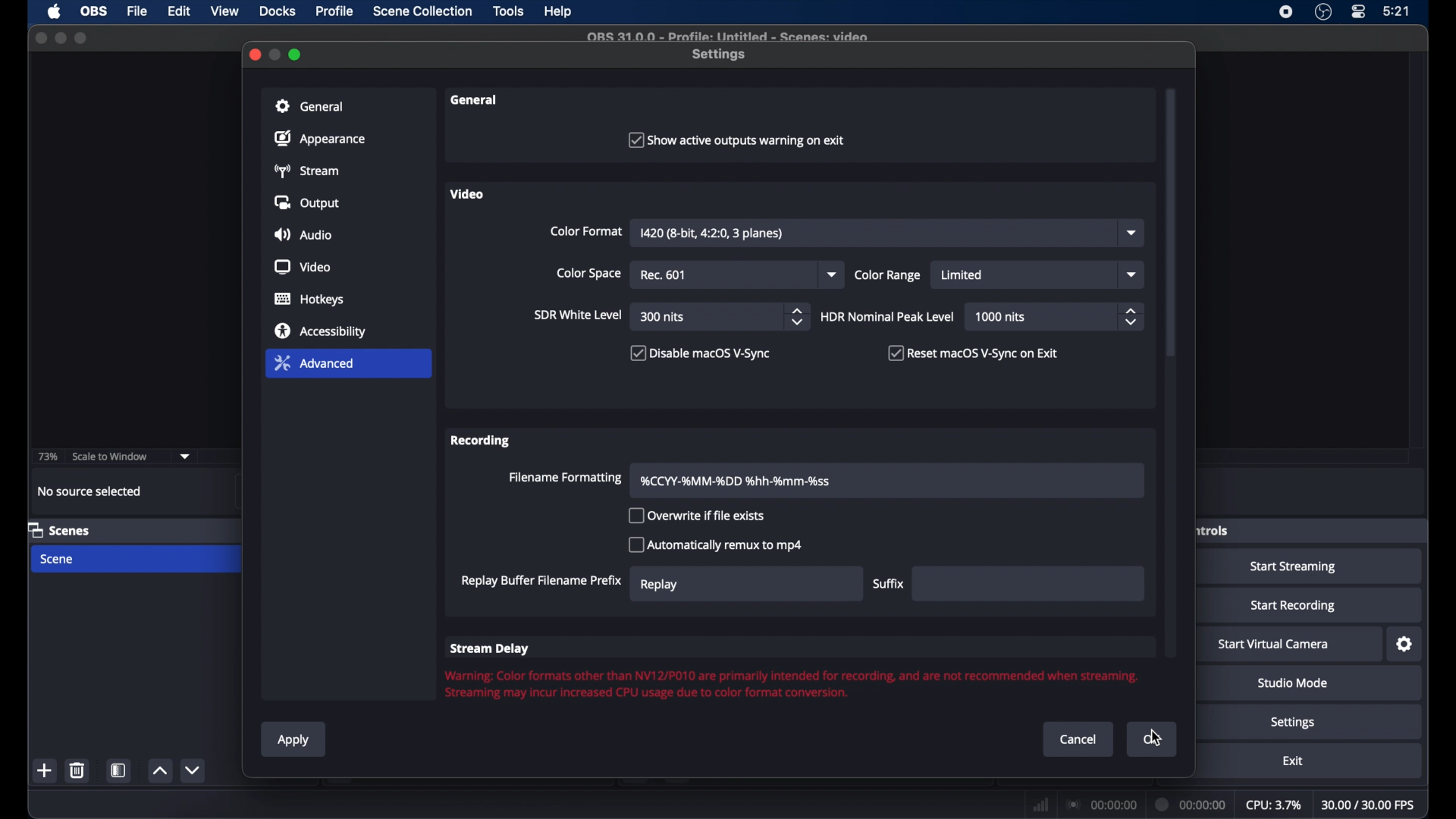  What do you see at coordinates (468, 193) in the screenshot?
I see `video` at bounding box center [468, 193].